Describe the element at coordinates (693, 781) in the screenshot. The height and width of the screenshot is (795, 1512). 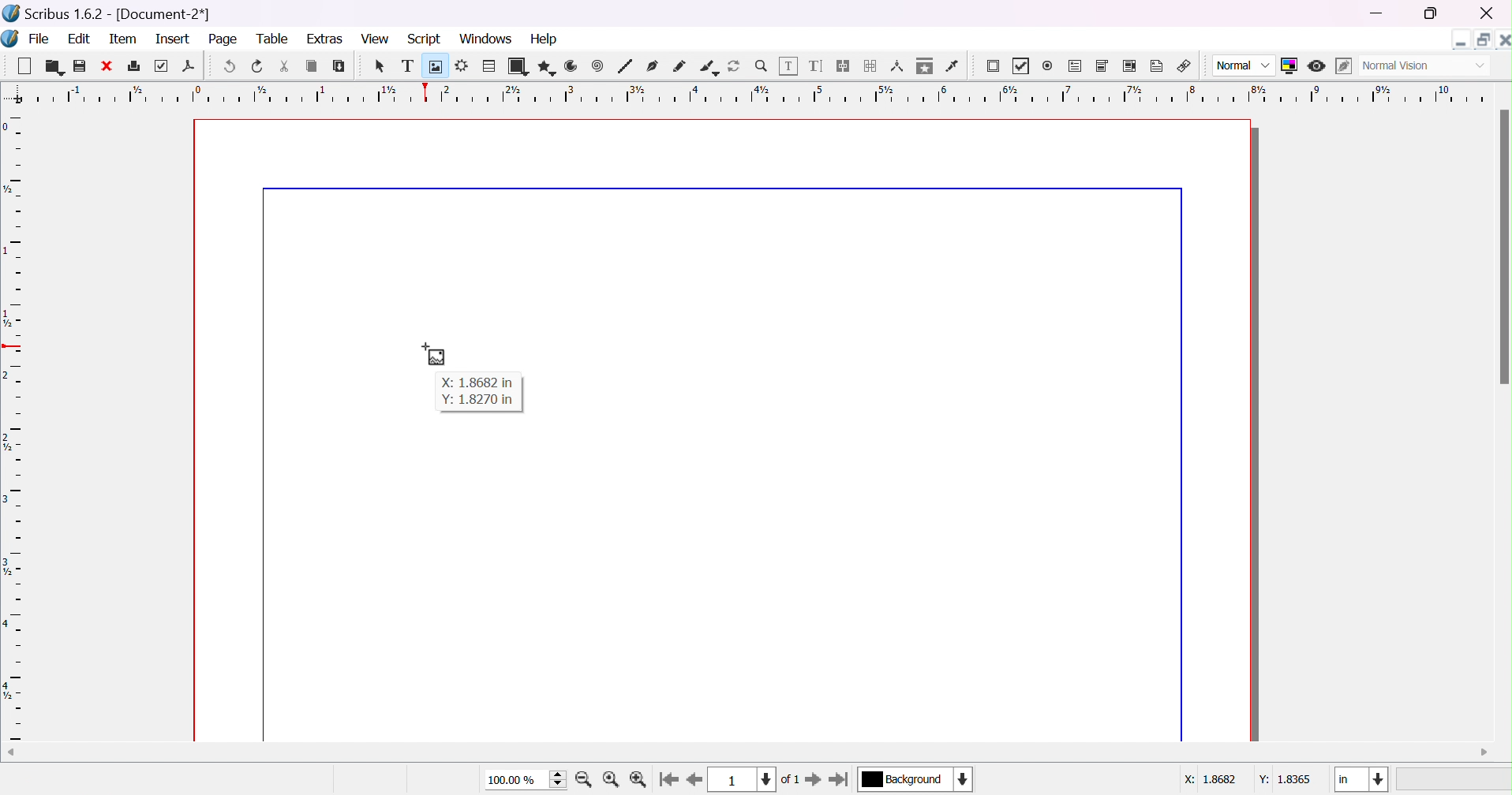
I see `go to previous page` at that location.